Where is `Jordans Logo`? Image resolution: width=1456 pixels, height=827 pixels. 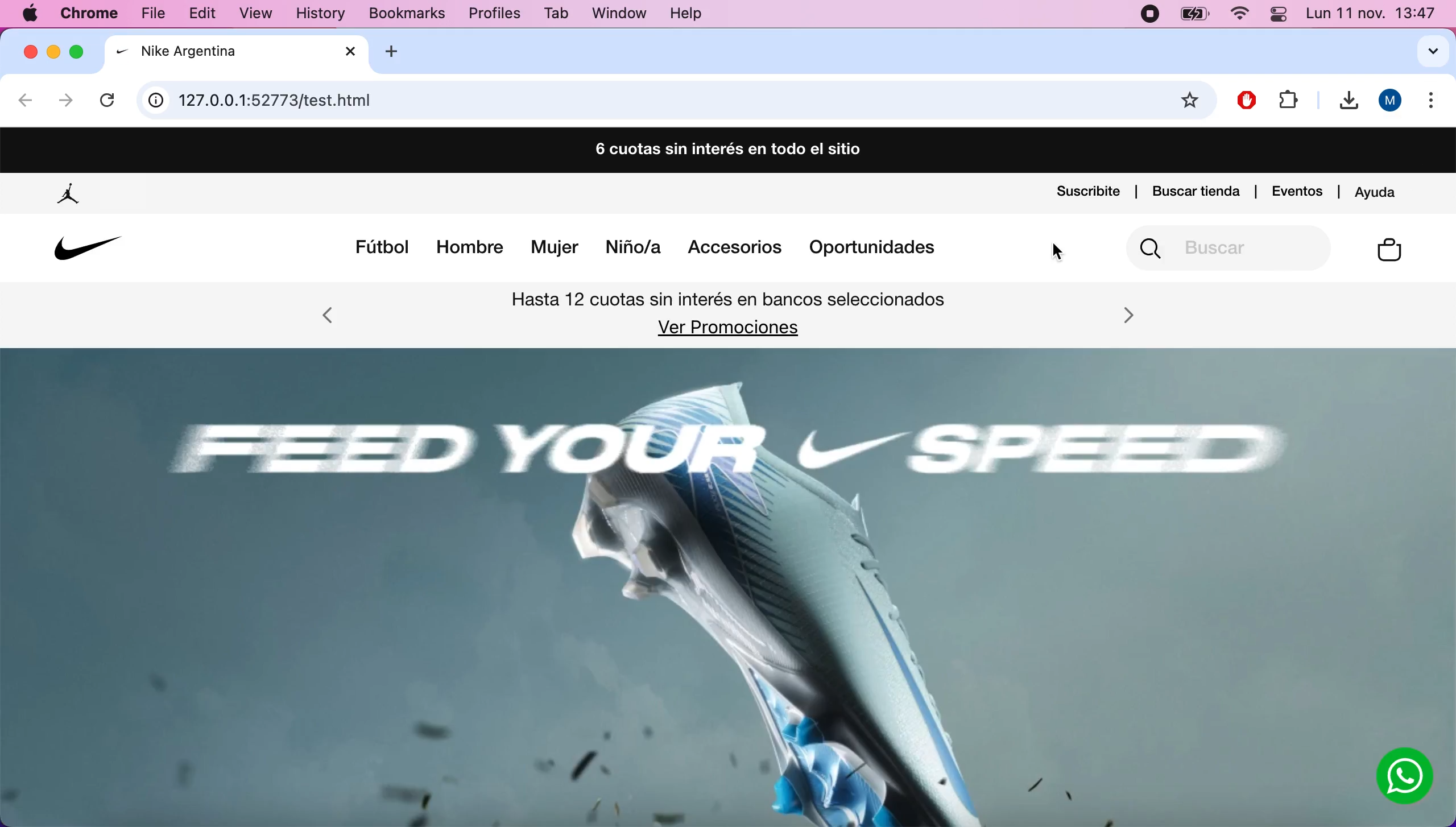
Jordans Logo is located at coordinates (71, 195).